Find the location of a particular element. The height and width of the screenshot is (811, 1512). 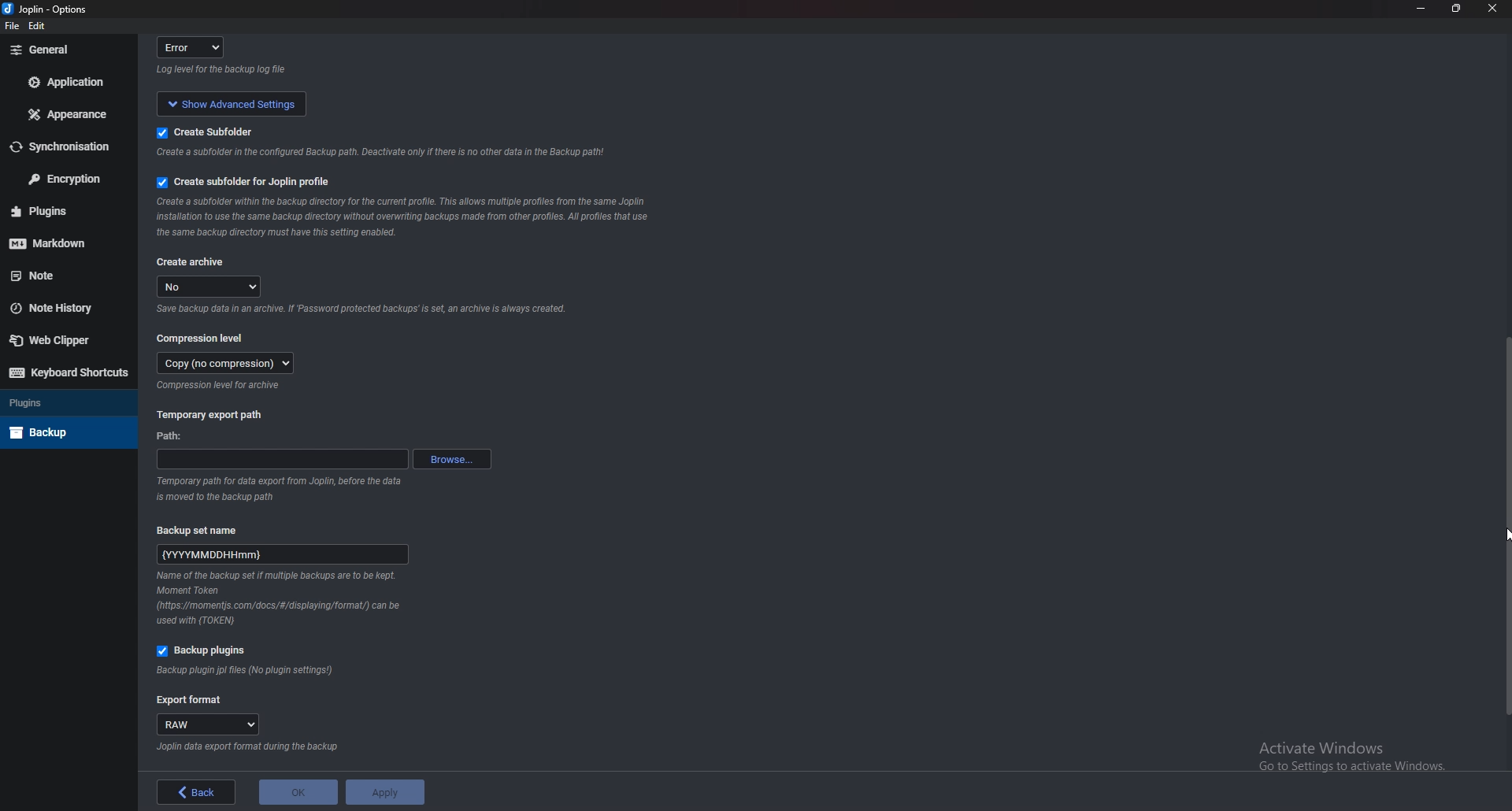

Compression level is located at coordinates (203, 337).